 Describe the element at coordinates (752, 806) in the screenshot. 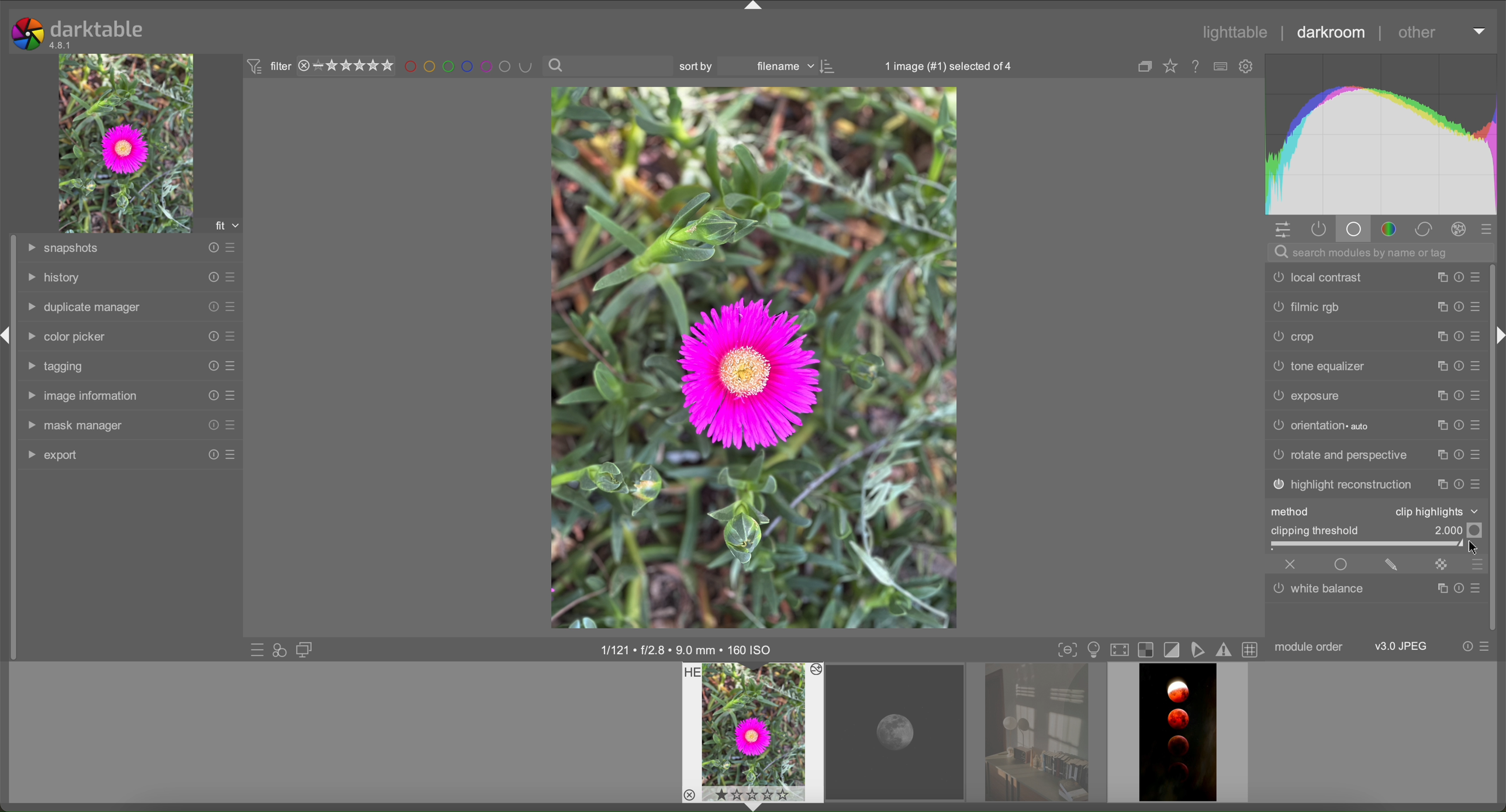

I see `arrow` at that location.